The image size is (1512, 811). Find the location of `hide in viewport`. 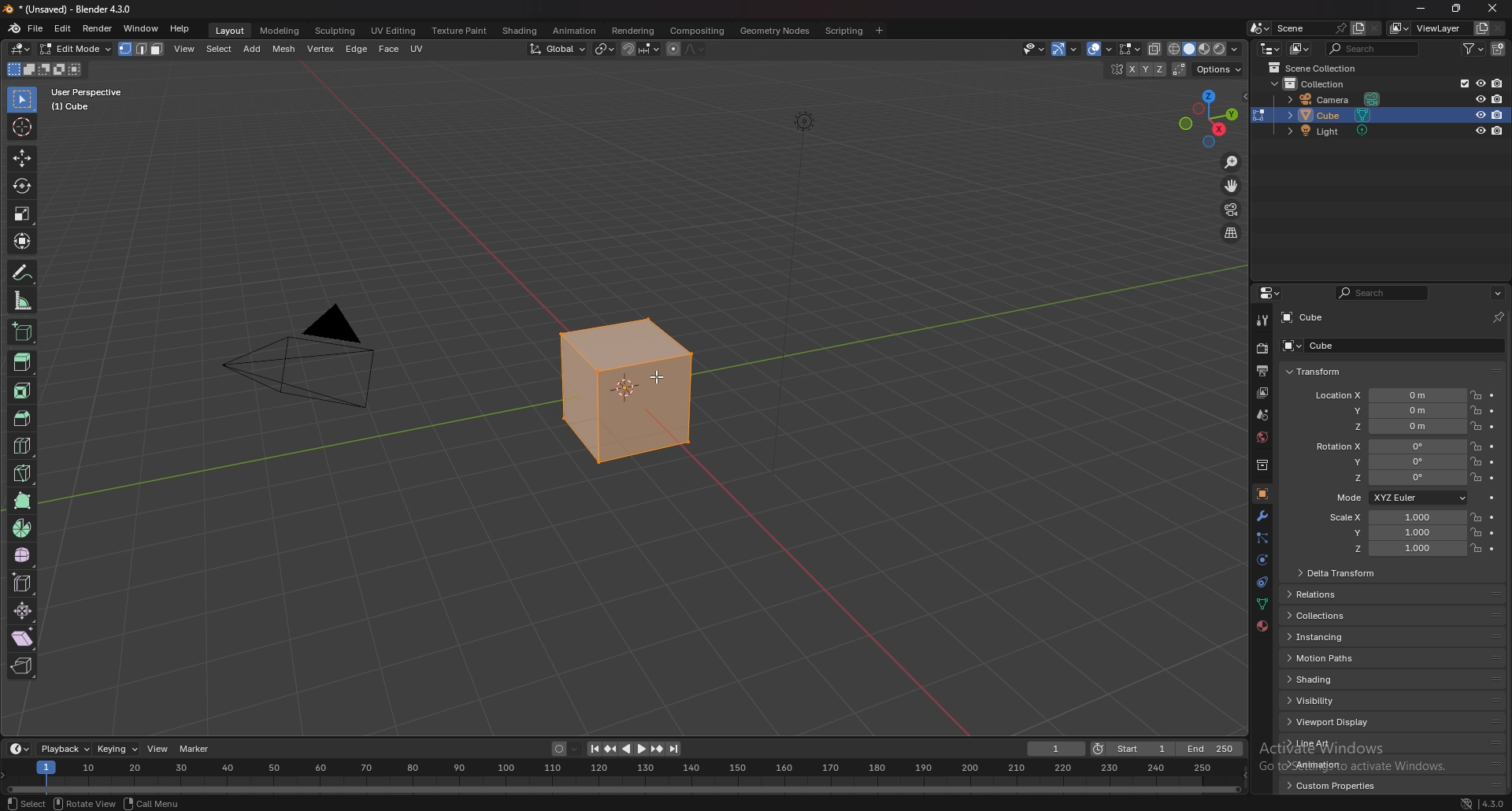

hide in viewport is located at coordinates (1480, 131).